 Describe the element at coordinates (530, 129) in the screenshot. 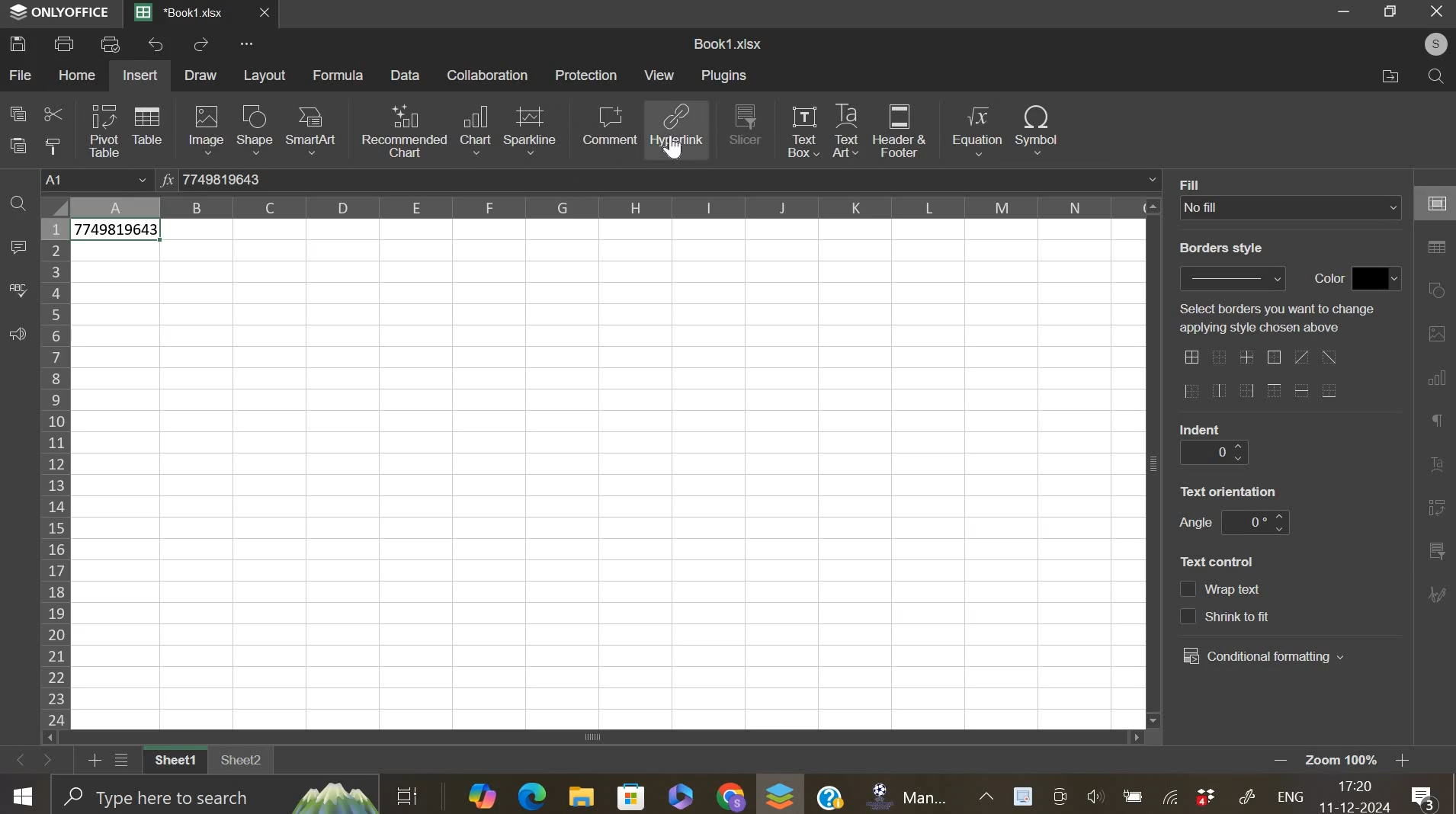

I see `sparkline` at that location.